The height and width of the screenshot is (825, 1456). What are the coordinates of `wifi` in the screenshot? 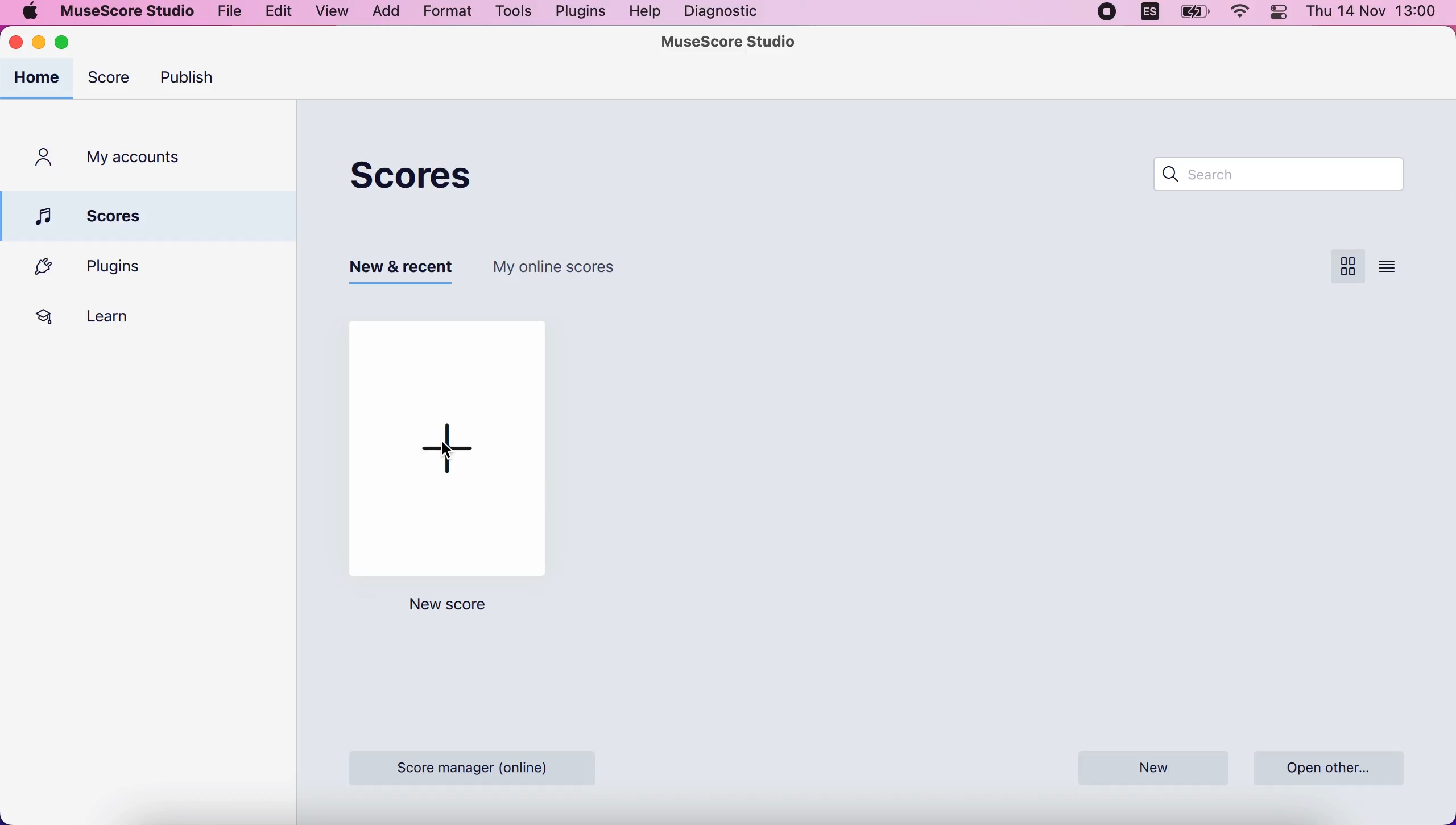 It's located at (1243, 15).